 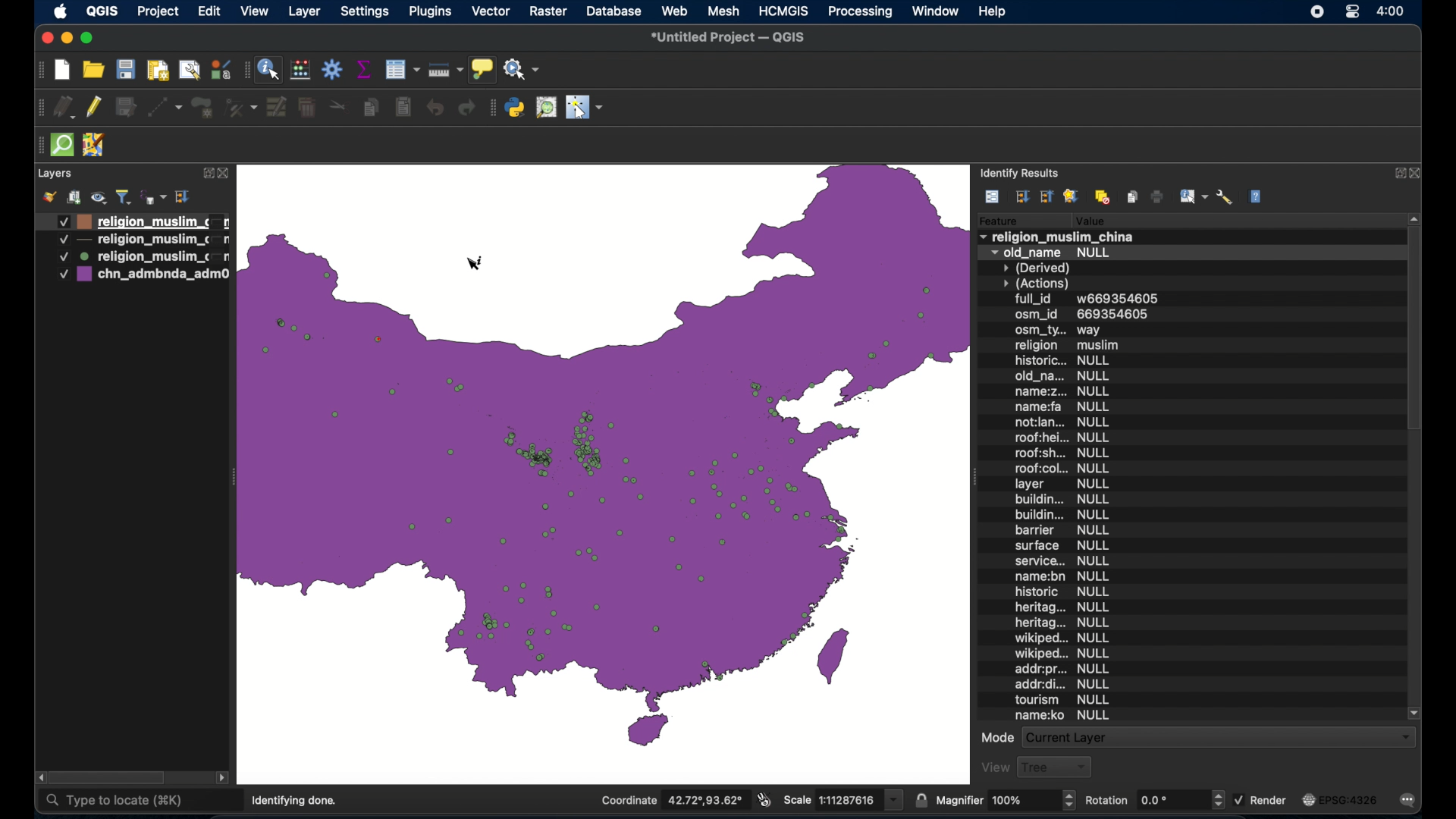 I want to click on layer 2, so click(x=141, y=257).